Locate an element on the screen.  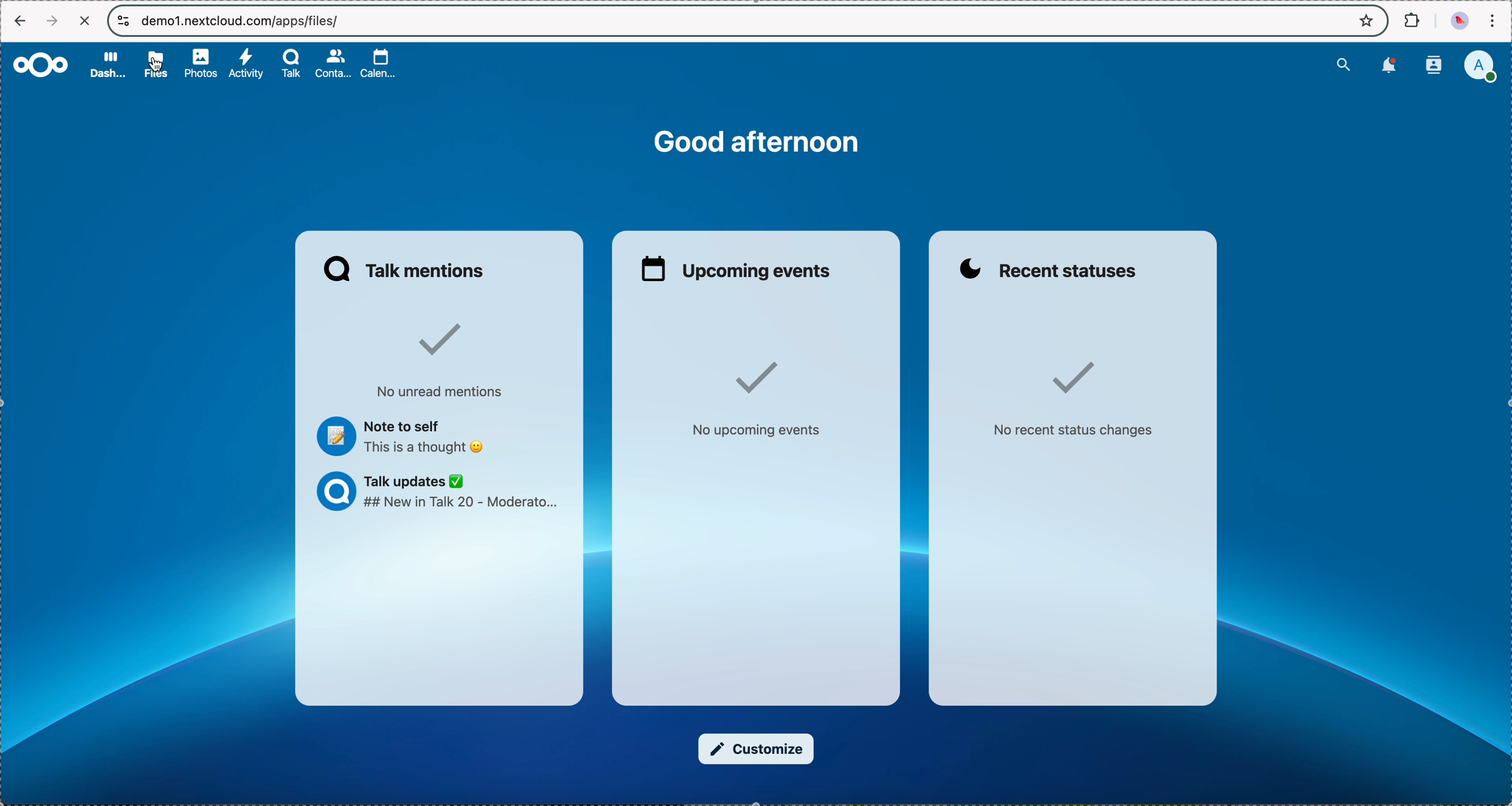
notifications is located at coordinates (1391, 66).